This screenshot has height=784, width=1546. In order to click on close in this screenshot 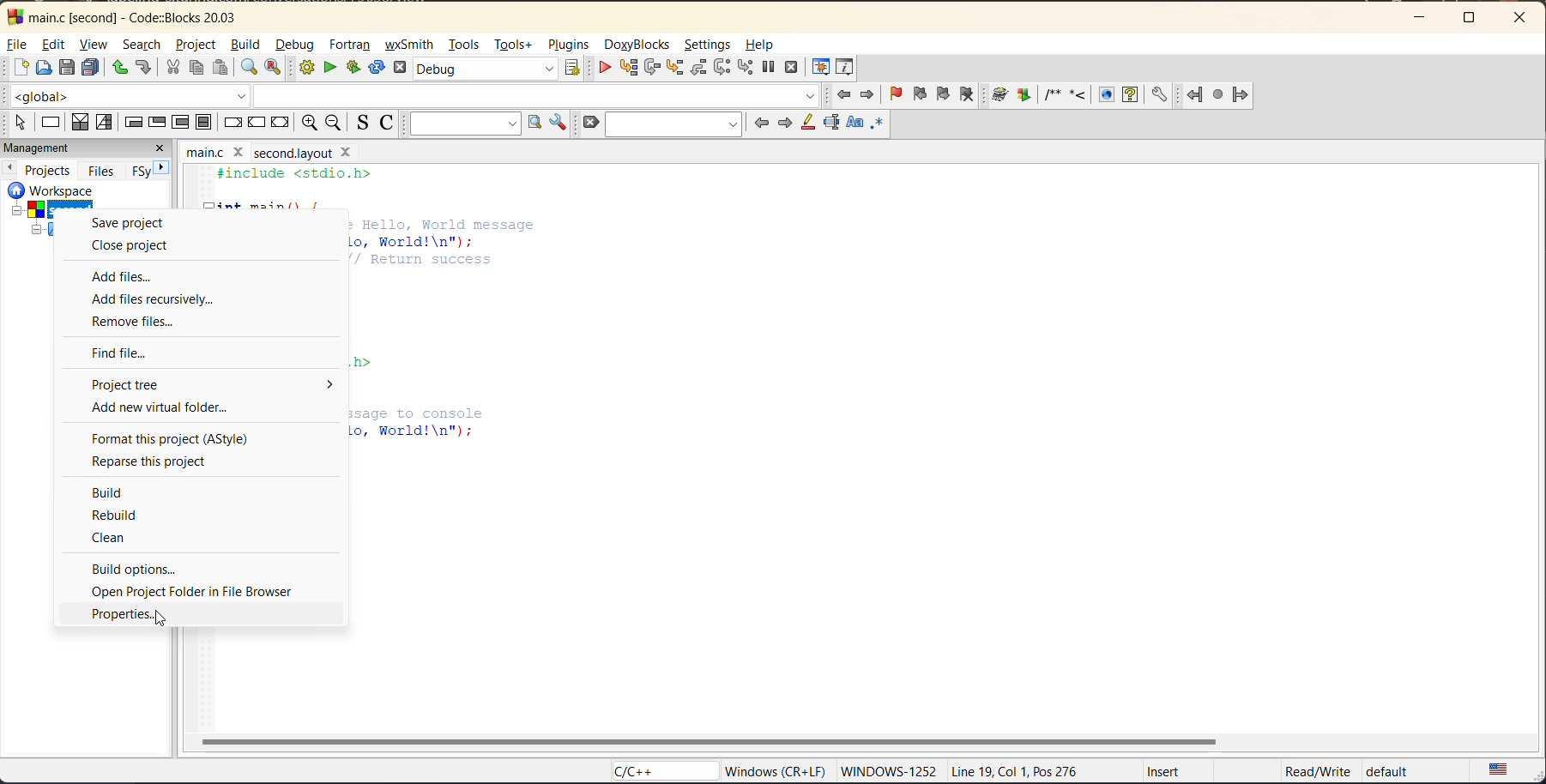, I will do `click(161, 149)`.